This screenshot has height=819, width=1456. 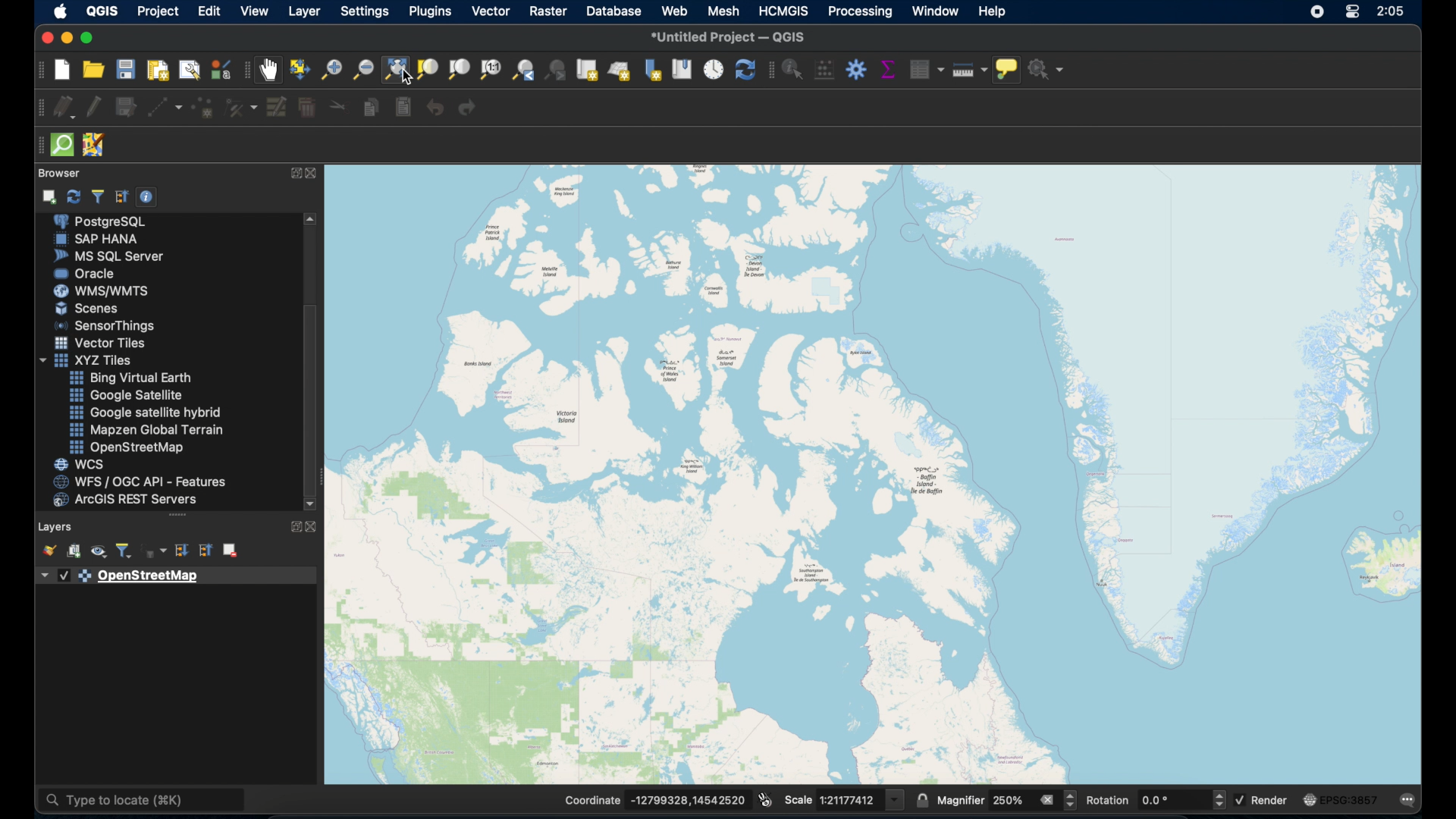 What do you see at coordinates (48, 196) in the screenshot?
I see `add elected layers` at bounding box center [48, 196].